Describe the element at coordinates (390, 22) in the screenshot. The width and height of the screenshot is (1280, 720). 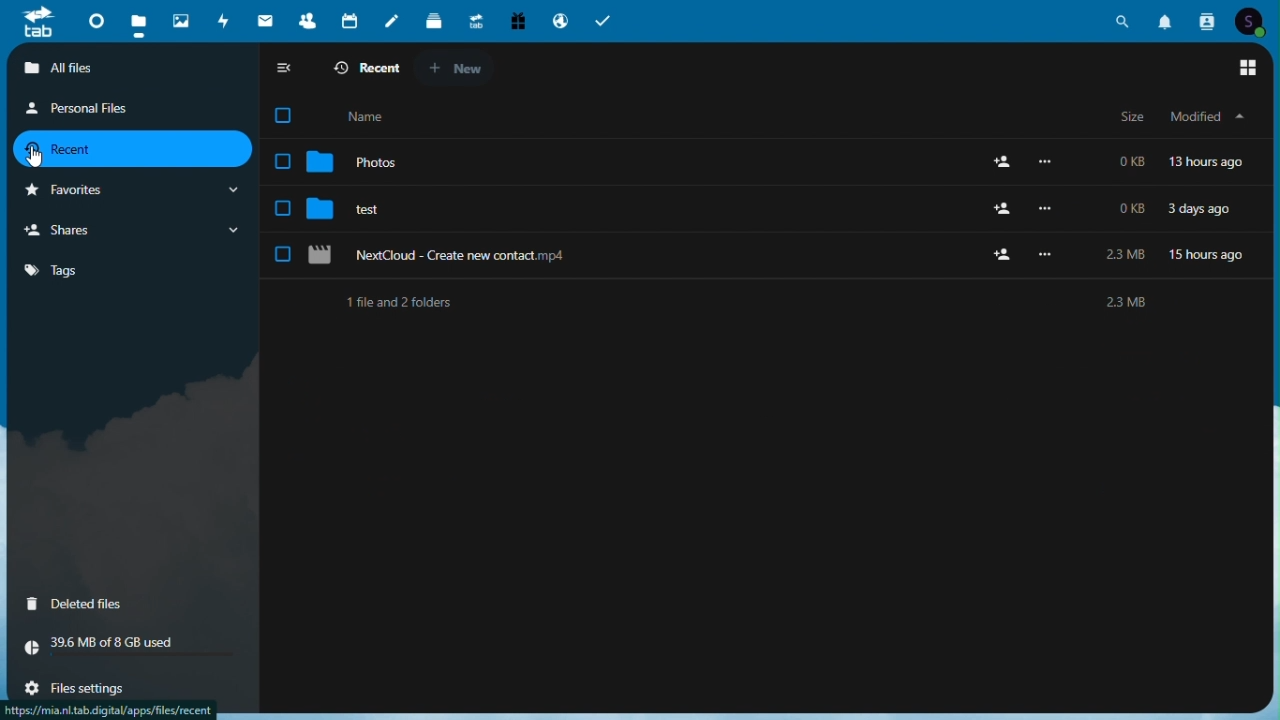
I see `notes` at that location.